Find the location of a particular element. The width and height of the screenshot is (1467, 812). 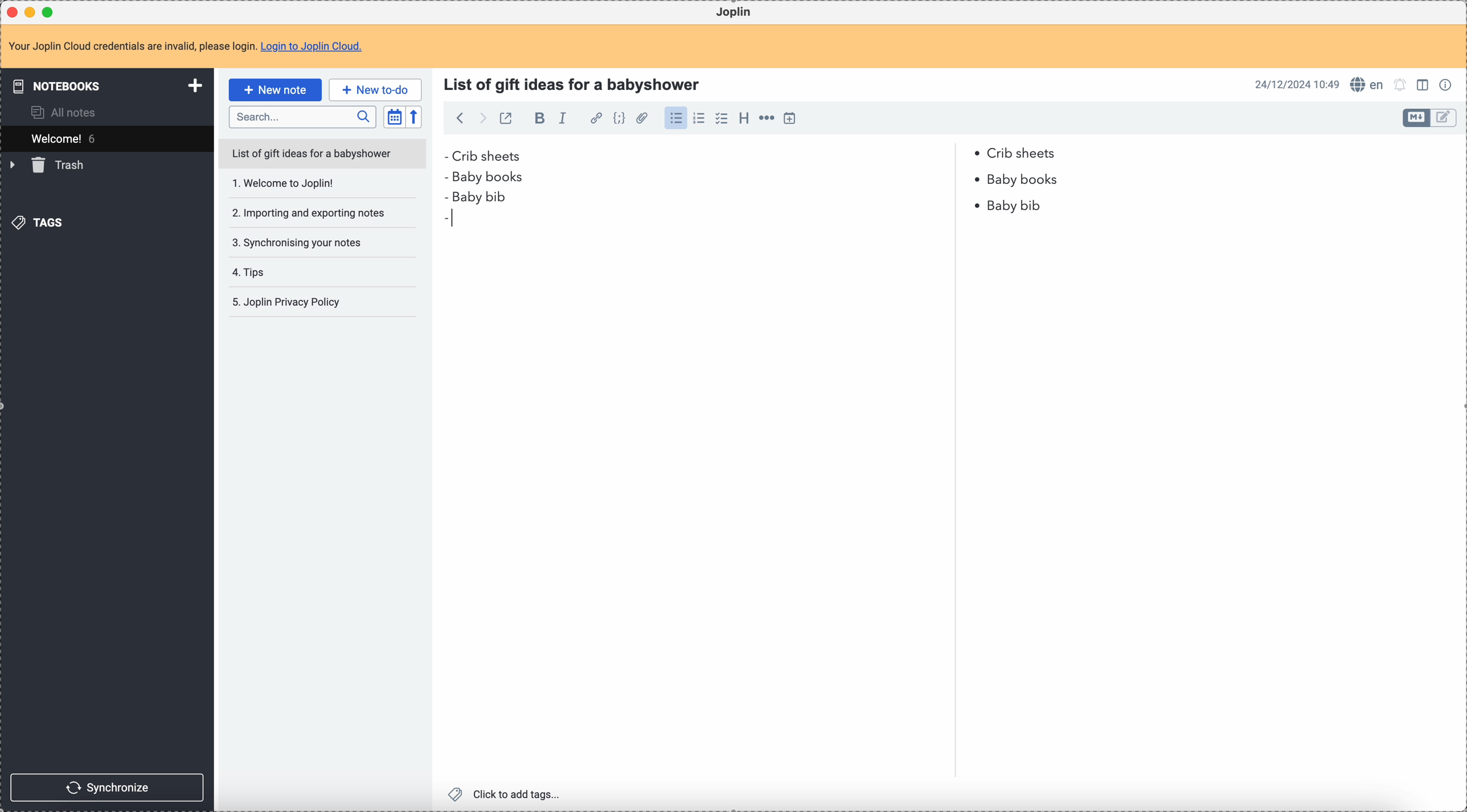

tags is located at coordinates (37, 223).